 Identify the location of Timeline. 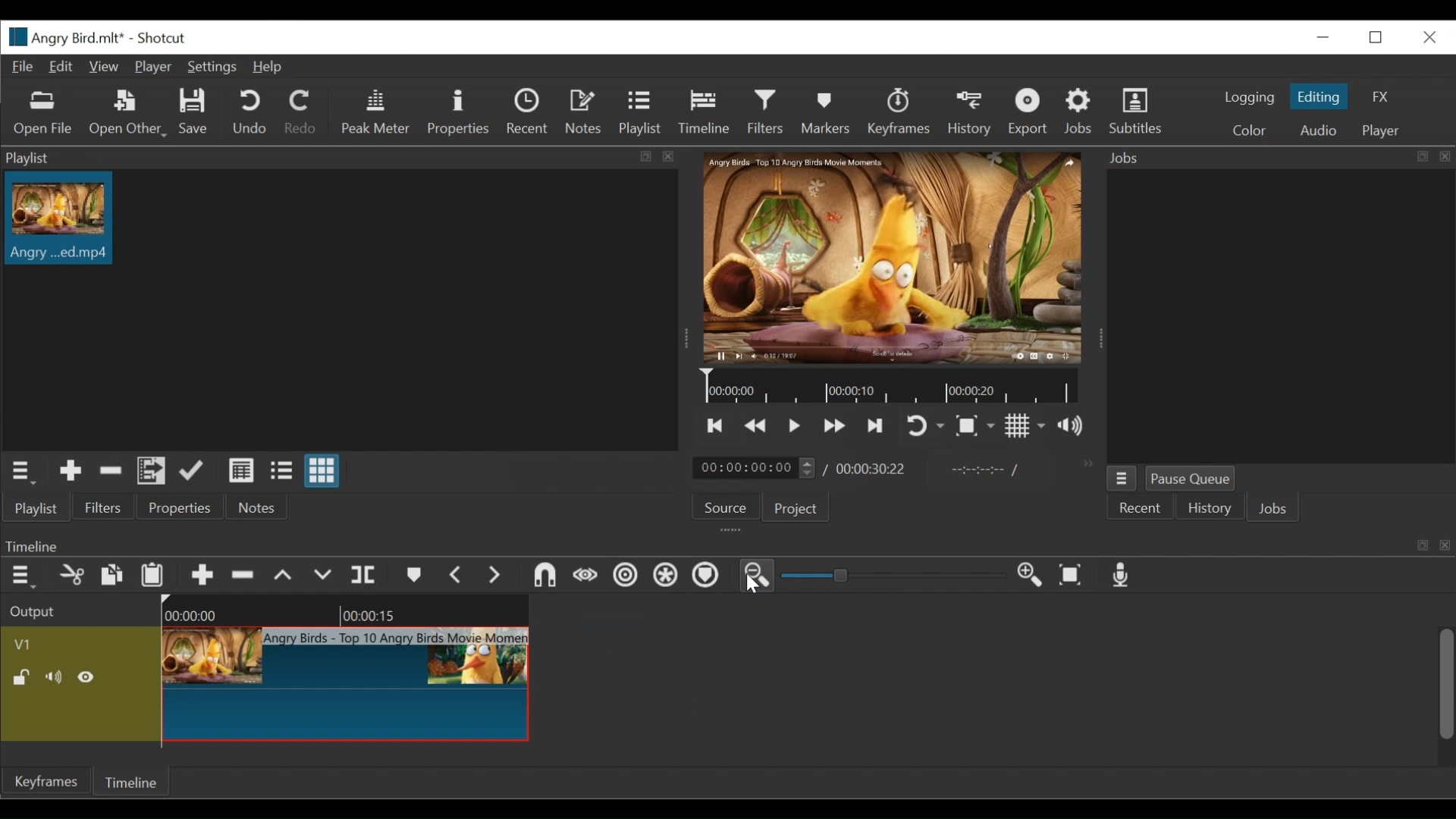
(353, 610).